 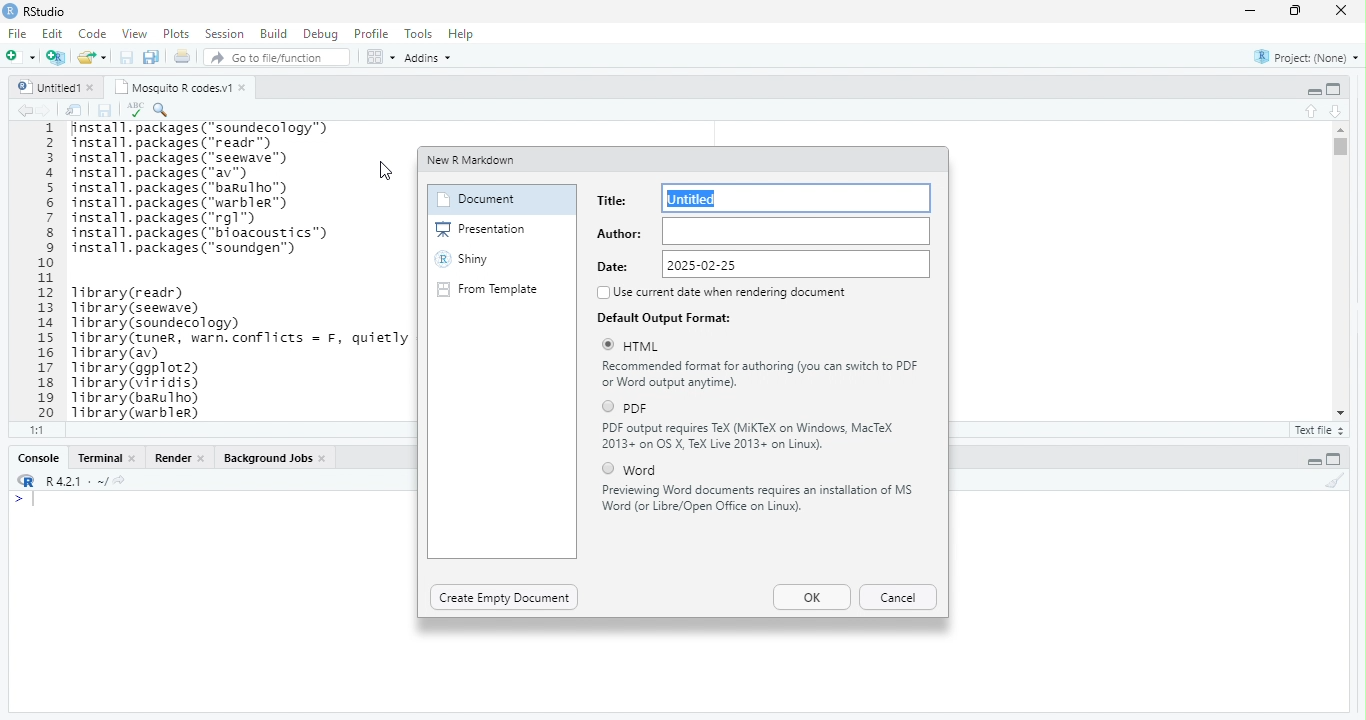 I want to click on Default Output Format:, so click(x=665, y=318).